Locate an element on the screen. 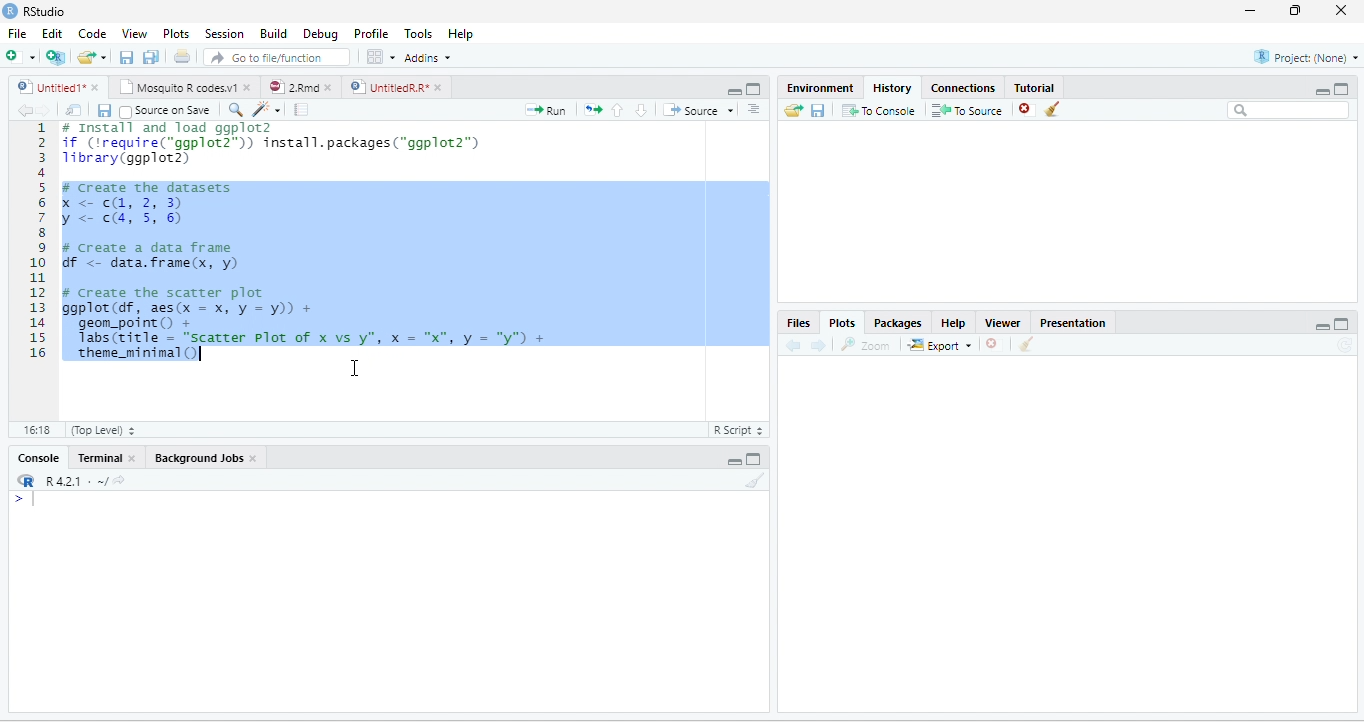 The width and height of the screenshot is (1364, 722). close is located at coordinates (95, 87).